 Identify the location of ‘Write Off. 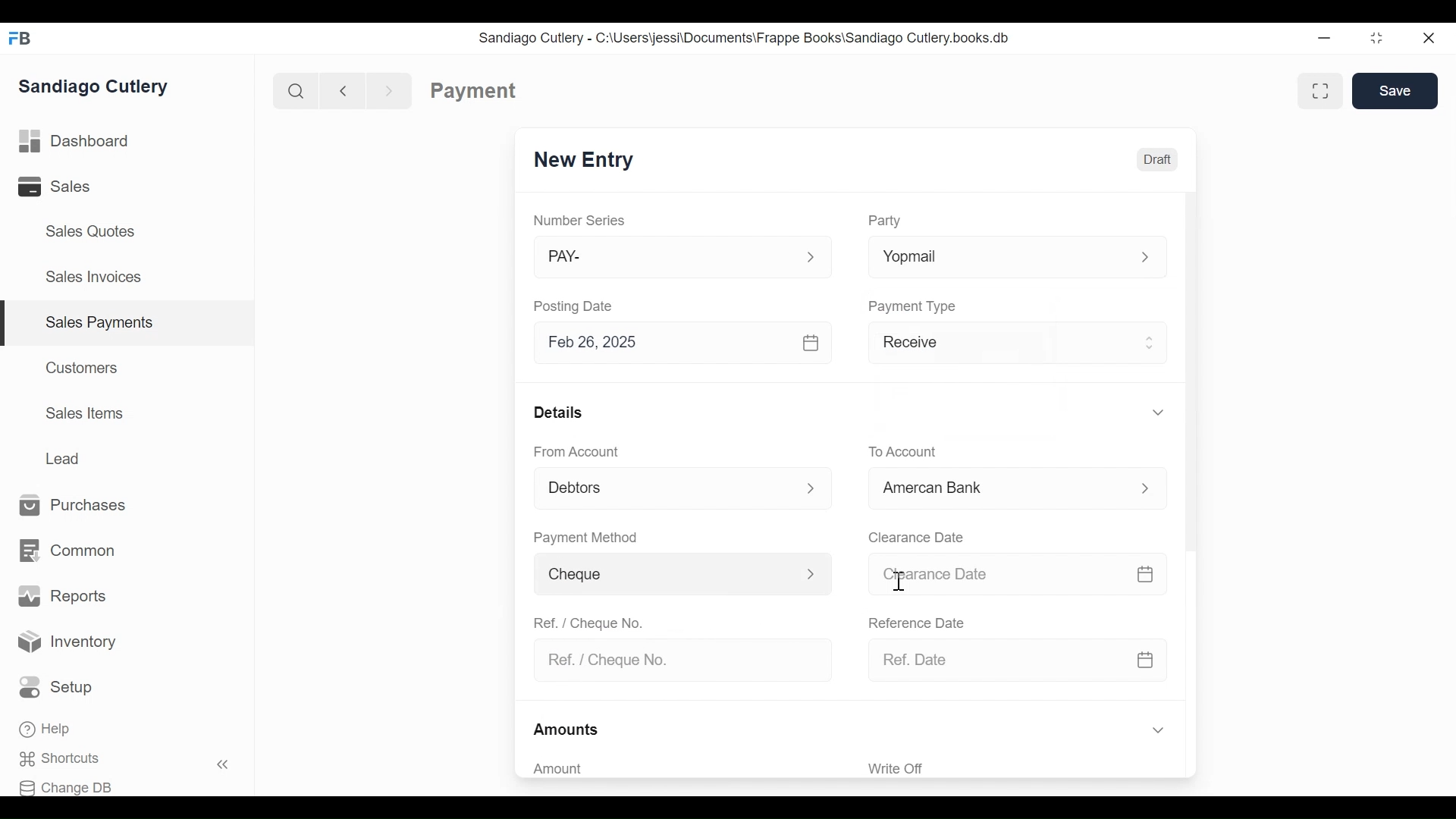
(1019, 768).